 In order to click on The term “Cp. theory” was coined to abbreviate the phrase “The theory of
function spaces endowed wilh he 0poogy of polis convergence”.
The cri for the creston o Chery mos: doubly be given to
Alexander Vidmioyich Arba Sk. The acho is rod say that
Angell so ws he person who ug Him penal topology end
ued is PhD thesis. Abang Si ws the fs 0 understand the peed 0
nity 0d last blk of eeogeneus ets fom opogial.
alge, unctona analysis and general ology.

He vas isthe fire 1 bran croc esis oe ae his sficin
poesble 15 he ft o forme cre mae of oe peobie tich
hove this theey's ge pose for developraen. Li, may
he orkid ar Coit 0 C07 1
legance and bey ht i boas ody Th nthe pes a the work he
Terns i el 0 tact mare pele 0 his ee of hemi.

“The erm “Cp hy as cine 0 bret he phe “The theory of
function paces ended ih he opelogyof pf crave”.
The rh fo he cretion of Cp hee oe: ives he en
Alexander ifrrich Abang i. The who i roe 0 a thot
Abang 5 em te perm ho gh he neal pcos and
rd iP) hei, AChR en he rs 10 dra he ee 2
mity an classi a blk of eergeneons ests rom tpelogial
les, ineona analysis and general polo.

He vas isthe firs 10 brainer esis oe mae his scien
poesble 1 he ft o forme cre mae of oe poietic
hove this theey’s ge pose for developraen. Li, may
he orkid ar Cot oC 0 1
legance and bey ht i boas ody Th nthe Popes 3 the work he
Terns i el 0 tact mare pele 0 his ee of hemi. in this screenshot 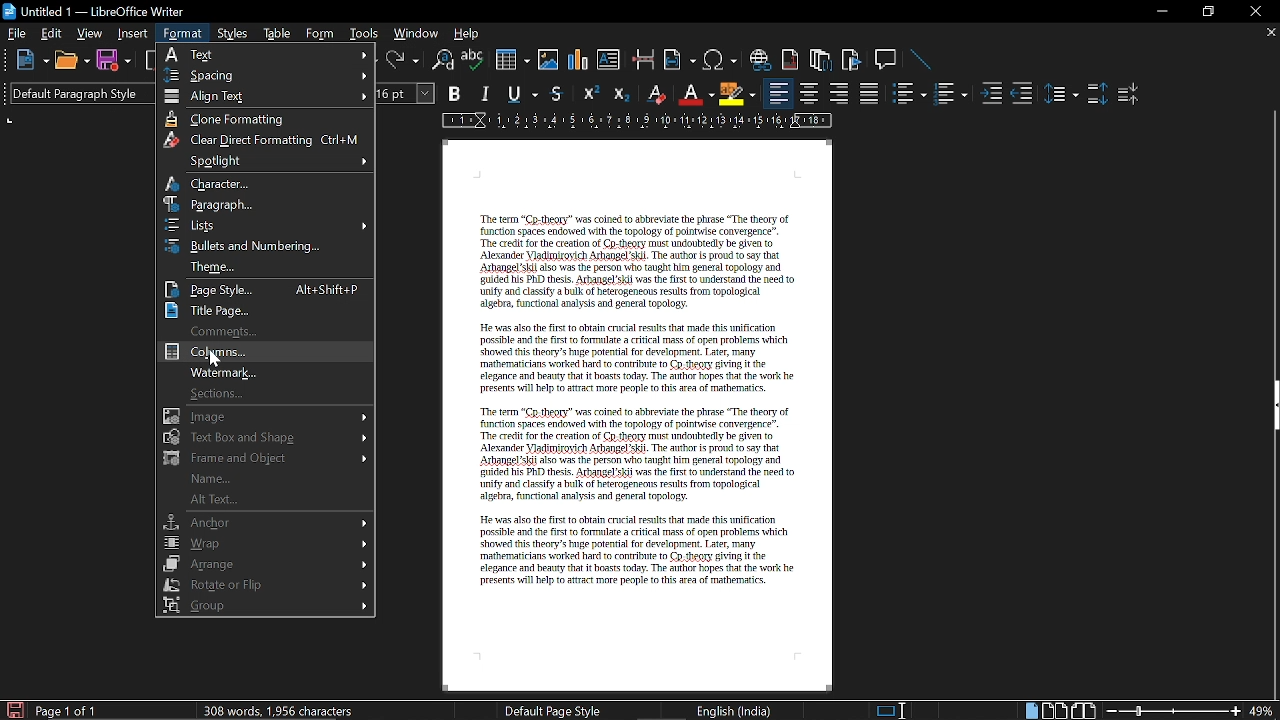, I will do `click(646, 426)`.